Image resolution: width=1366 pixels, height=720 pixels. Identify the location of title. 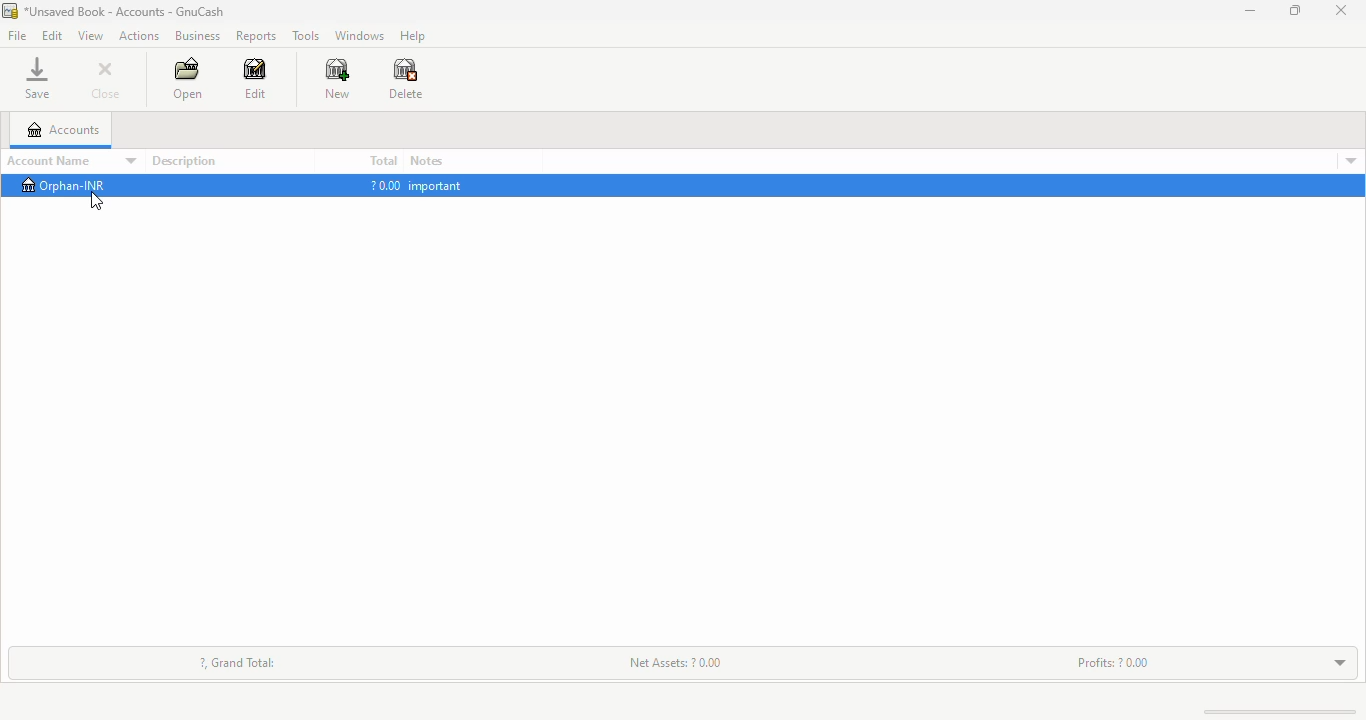
(125, 12).